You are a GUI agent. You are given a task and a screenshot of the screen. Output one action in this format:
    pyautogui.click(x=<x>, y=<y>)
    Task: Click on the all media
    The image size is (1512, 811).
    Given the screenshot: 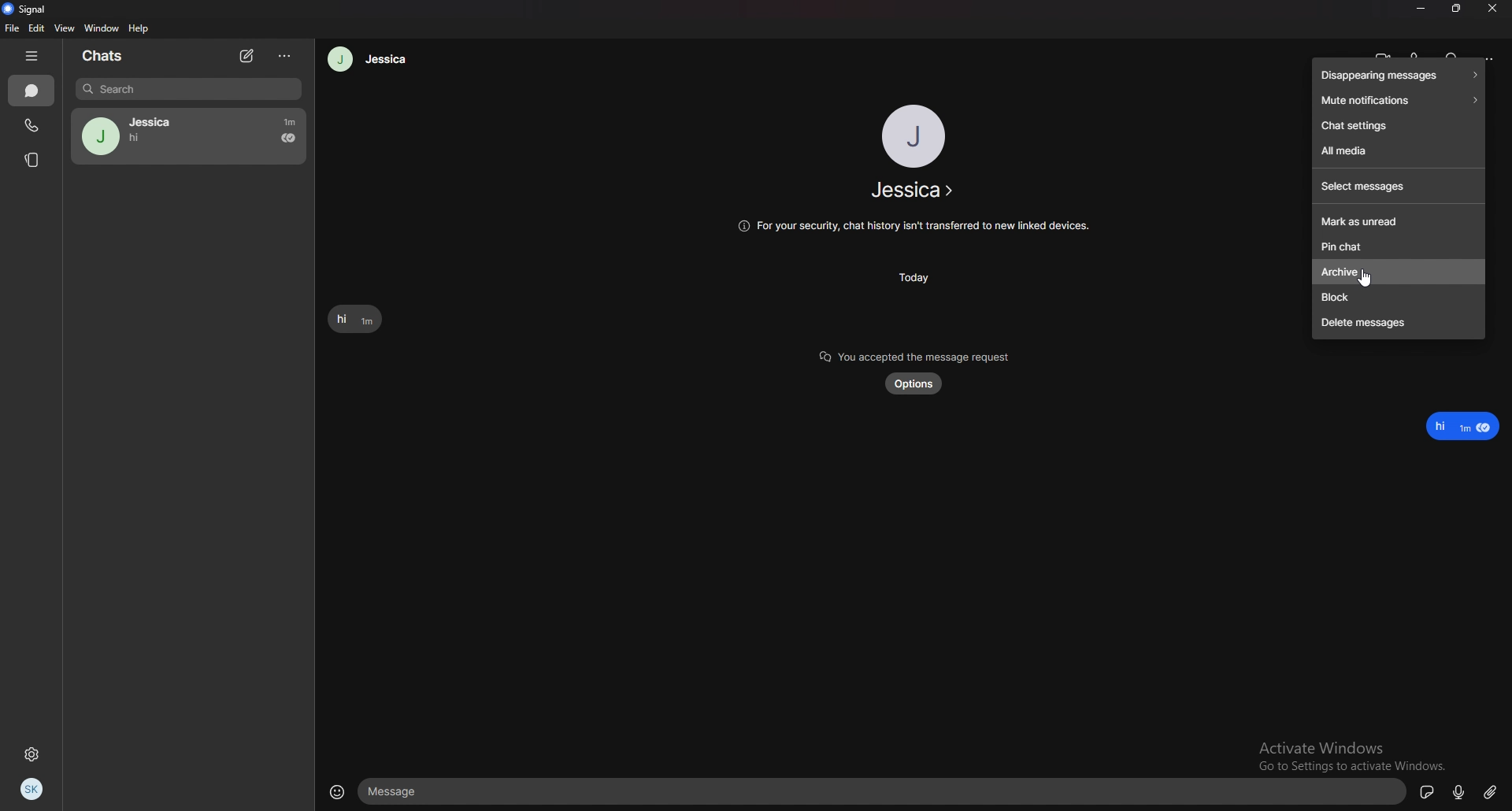 What is the action you would take?
    pyautogui.click(x=1398, y=150)
    